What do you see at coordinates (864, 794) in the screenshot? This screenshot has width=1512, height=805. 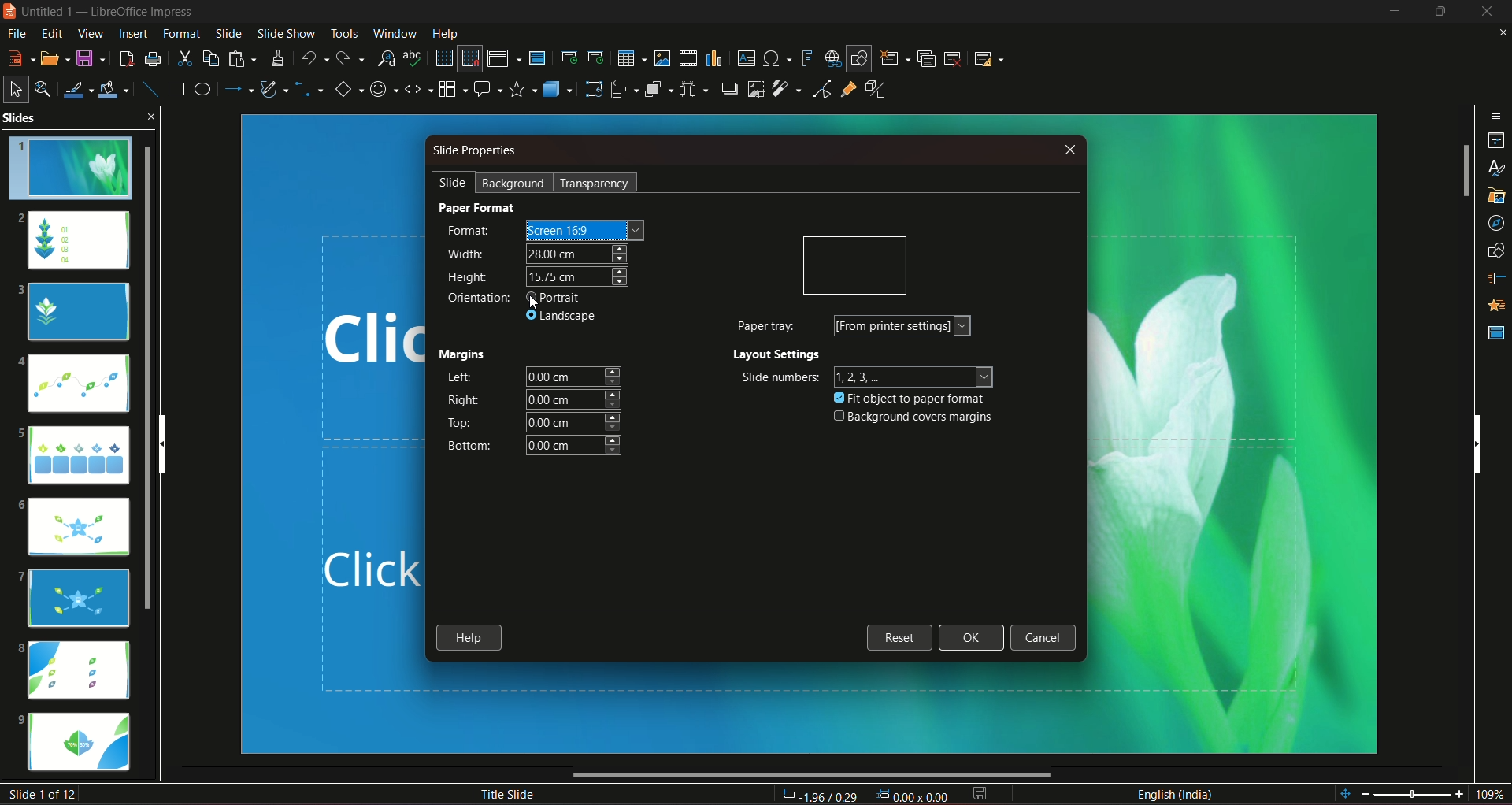 I see `dimensions` at bounding box center [864, 794].